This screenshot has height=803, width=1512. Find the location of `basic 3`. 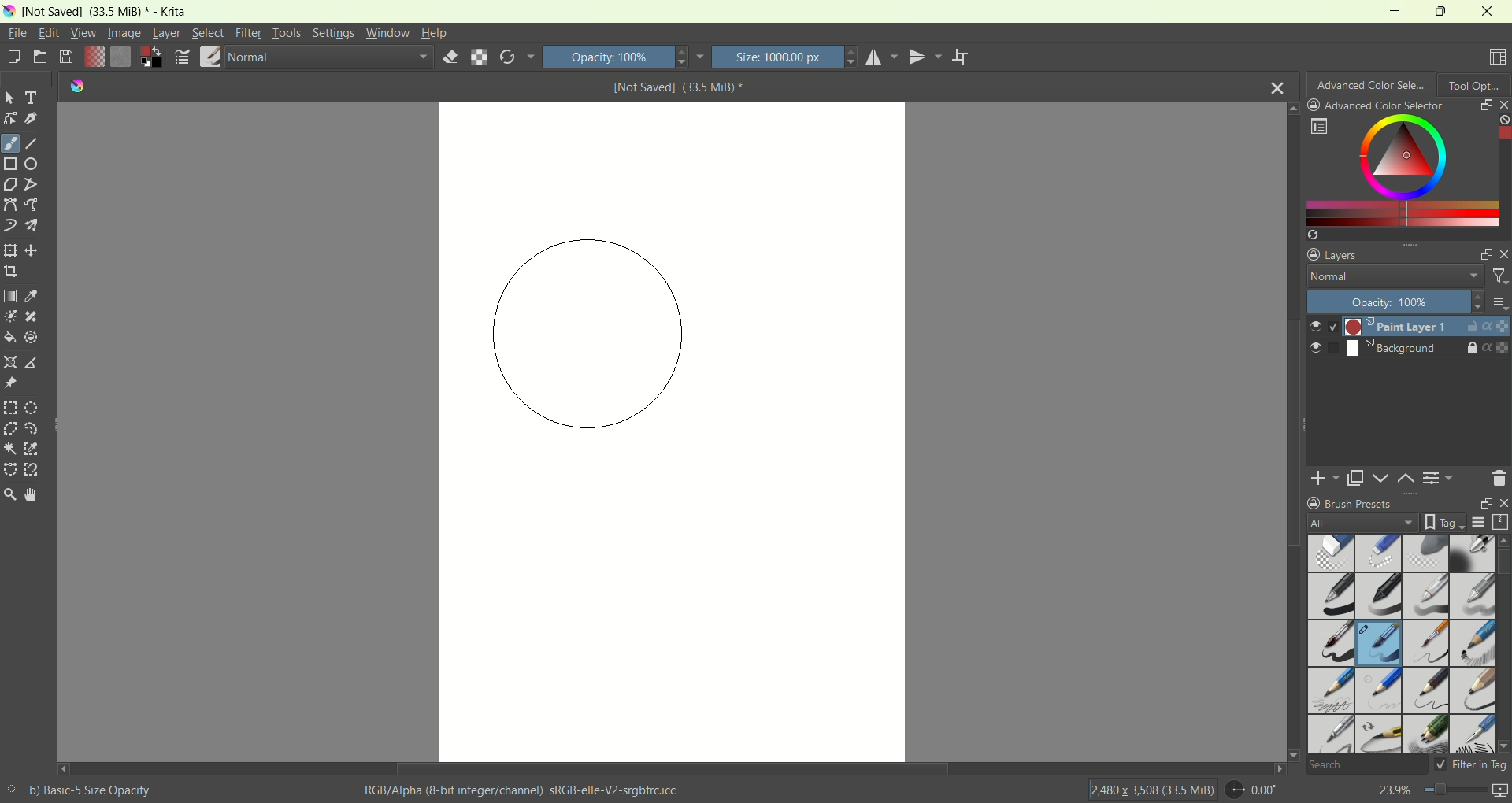

basic 3 is located at coordinates (1425, 598).